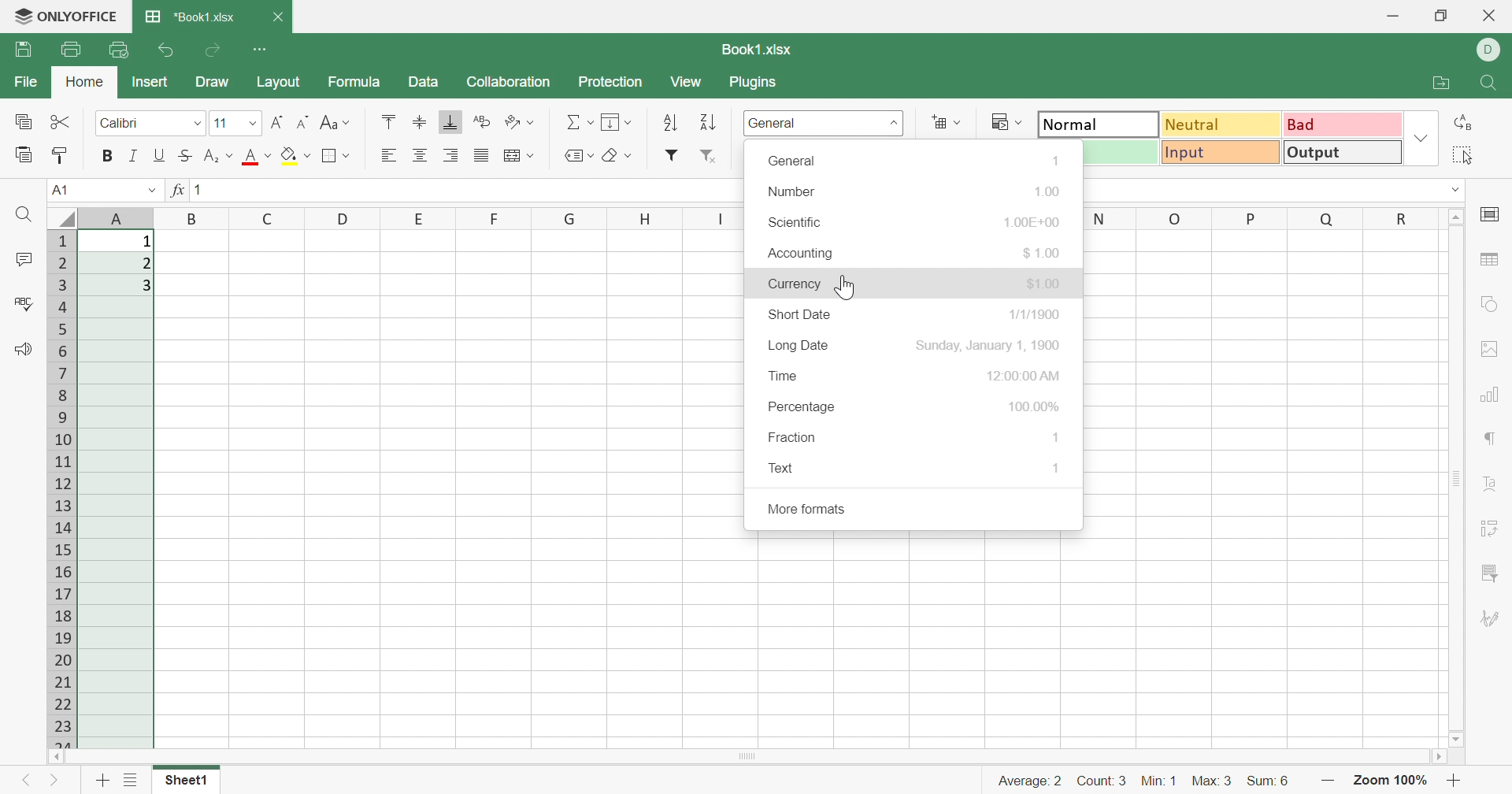 The image size is (1512, 794). What do you see at coordinates (119, 49) in the screenshot?
I see `Quick print` at bounding box center [119, 49].